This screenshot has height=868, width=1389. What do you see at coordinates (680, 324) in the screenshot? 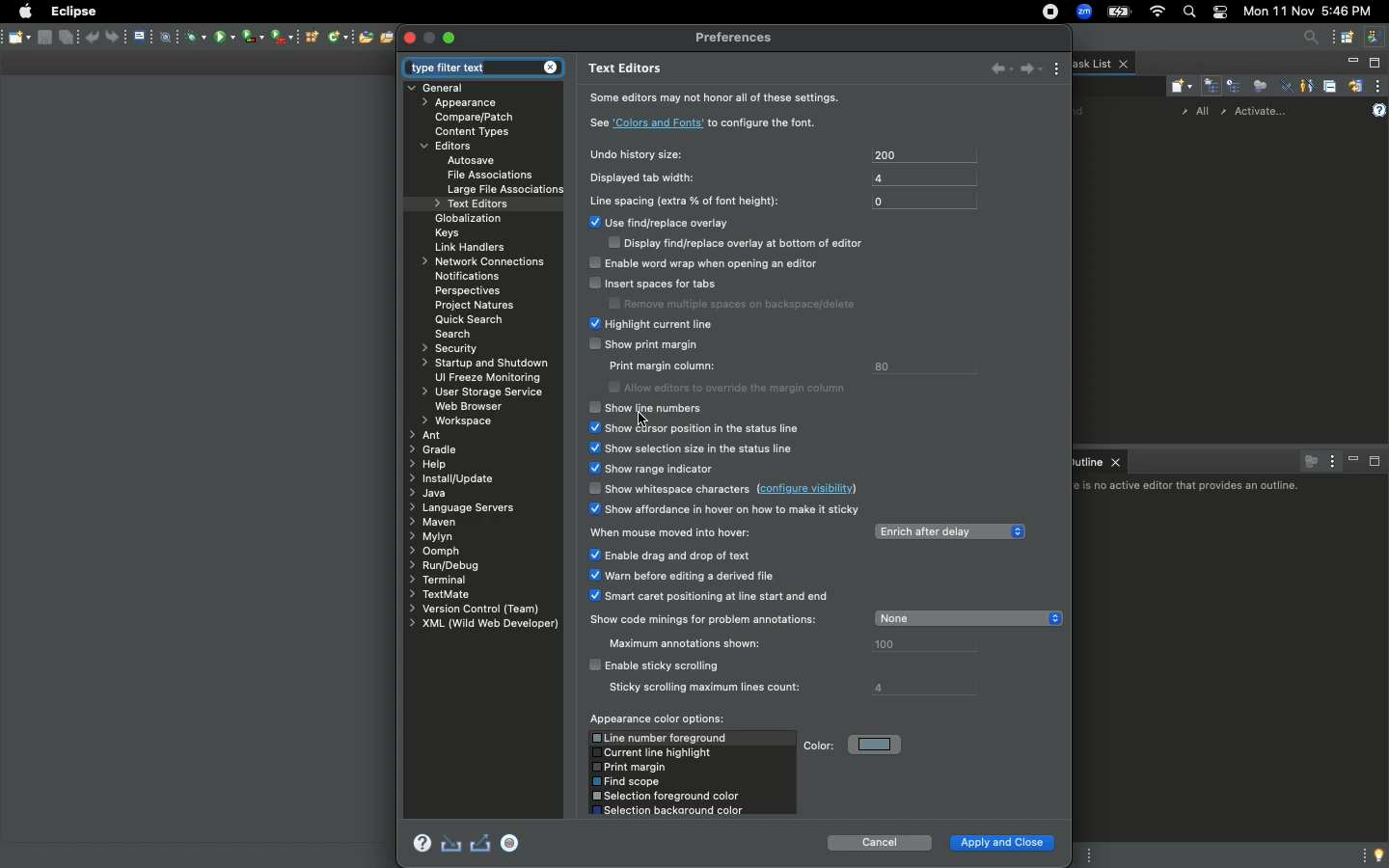
I see `Highlight current line` at bounding box center [680, 324].